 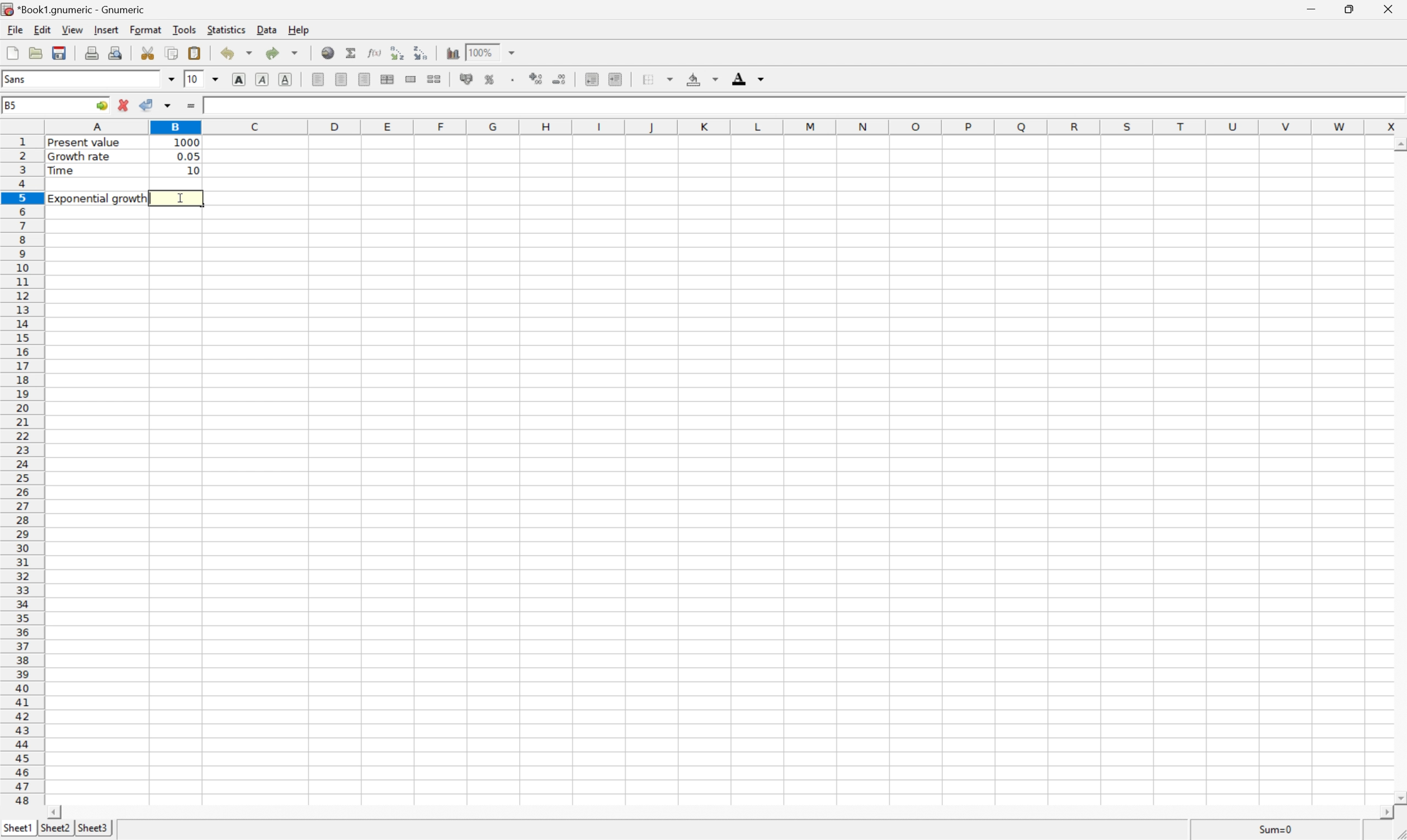 What do you see at coordinates (592, 78) in the screenshot?
I see `Decrease indent, and align the contents to the left` at bounding box center [592, 78].